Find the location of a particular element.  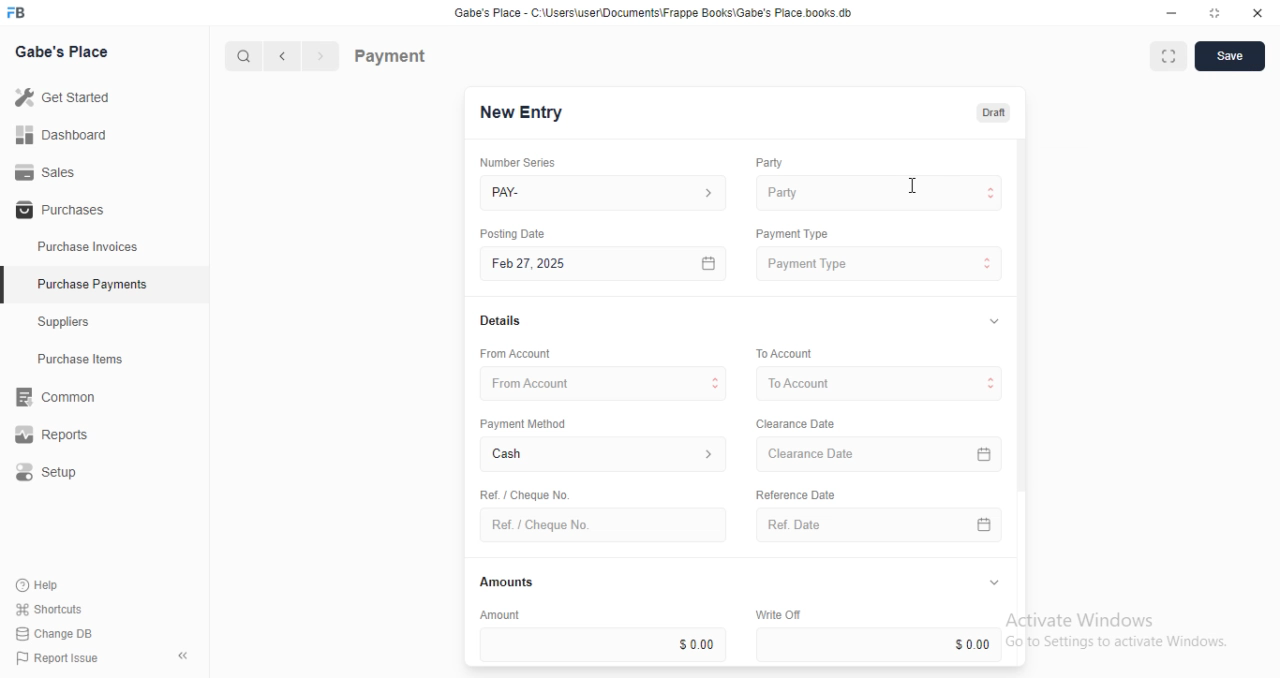

search is located at coordinates (245, 57).